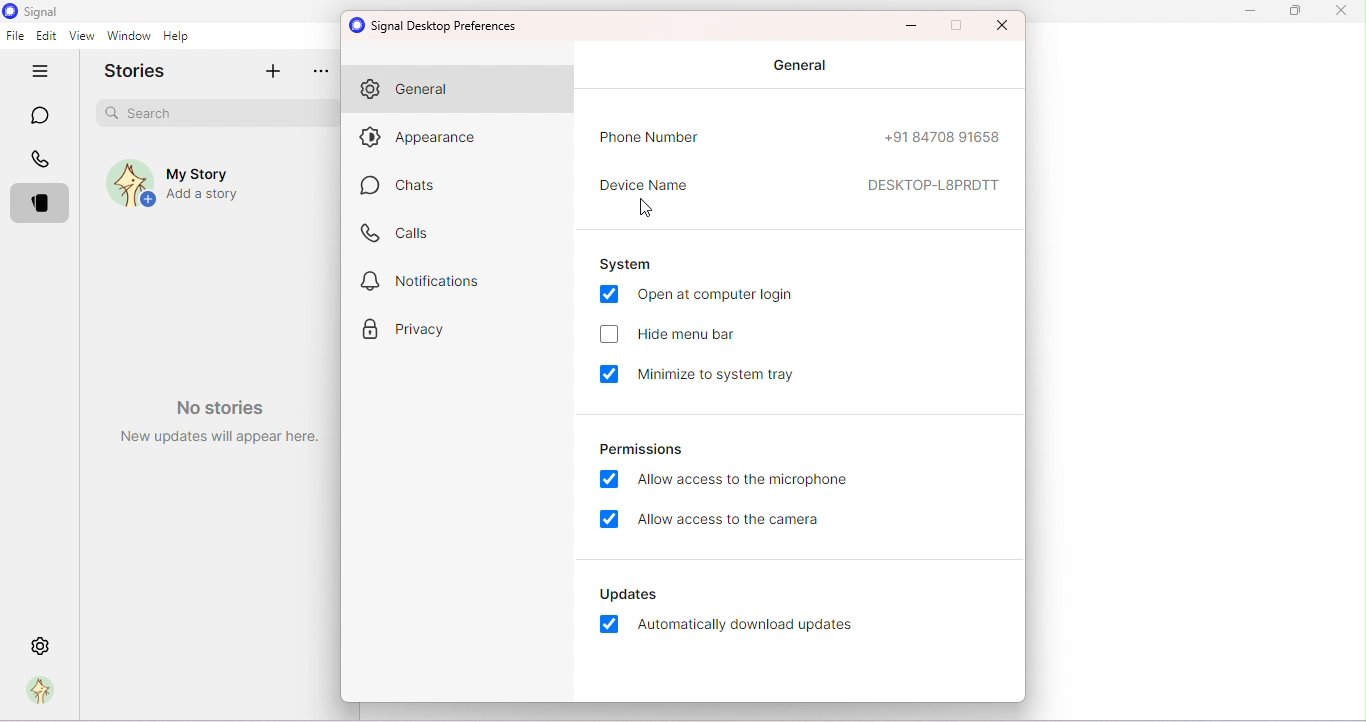 The image size is (1366, 722). I want to click on Updates, so click(637, 591).